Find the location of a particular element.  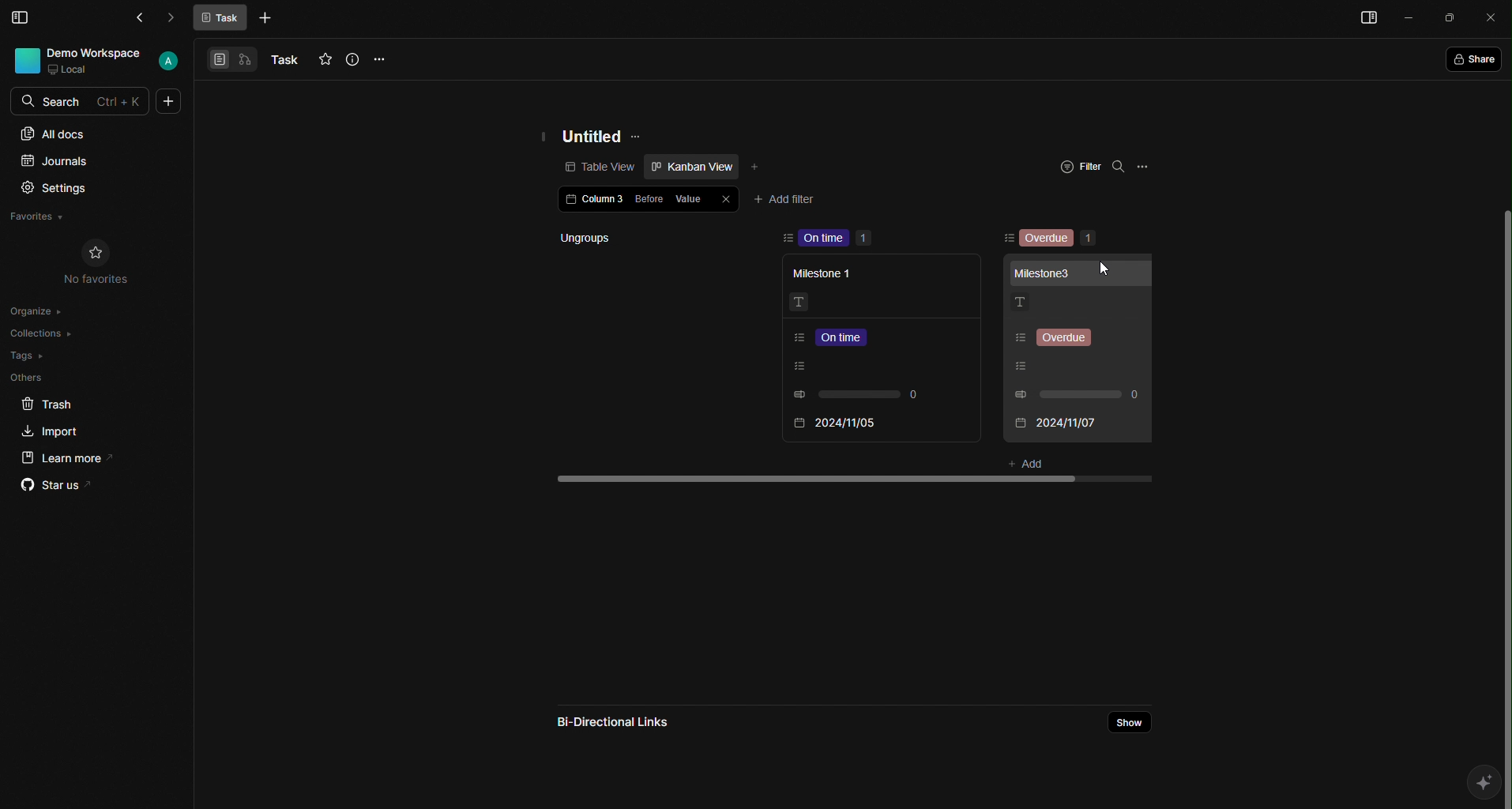

Add is located at coordinates (1024, 461).